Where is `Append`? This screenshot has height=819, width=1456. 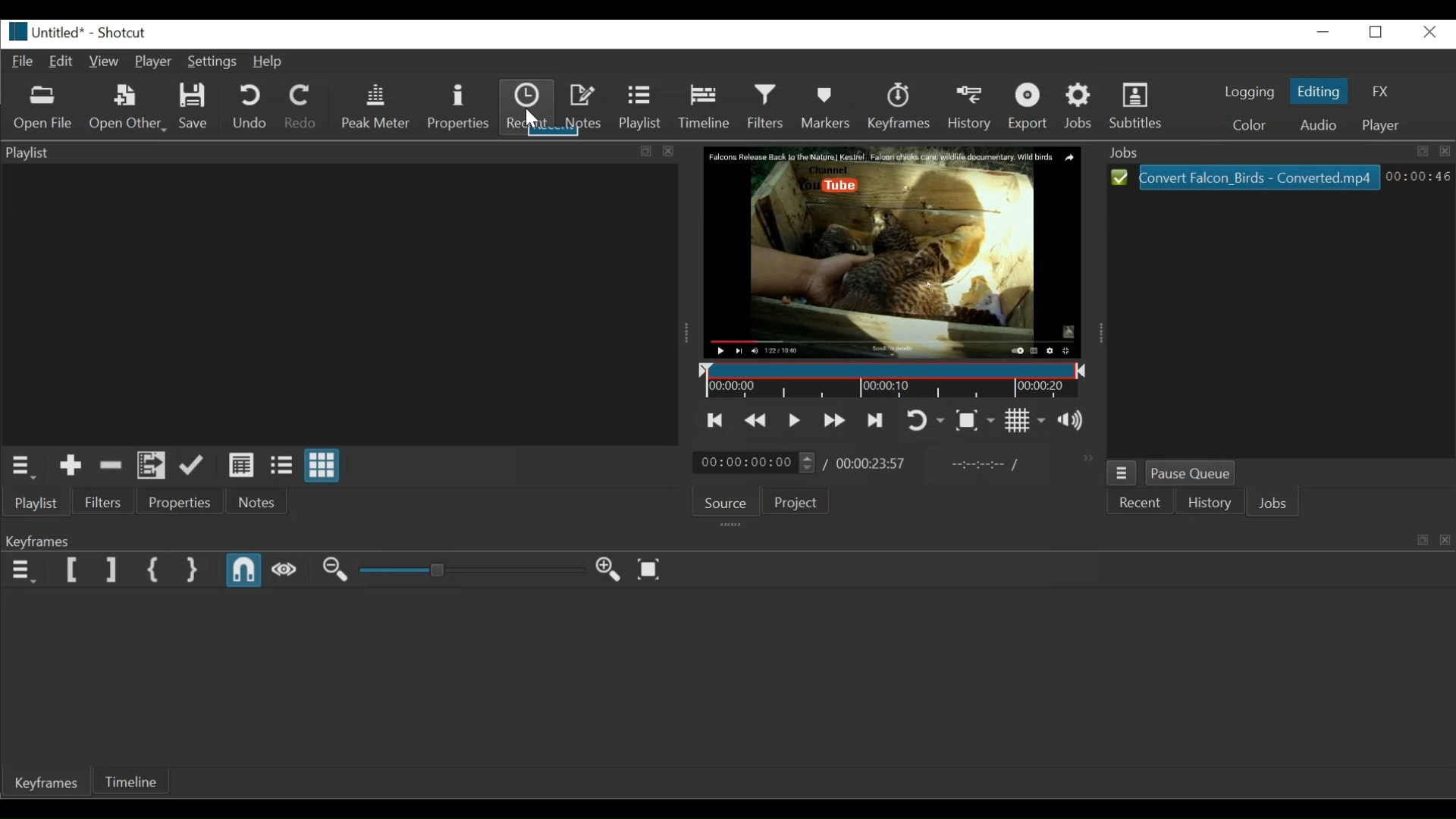 Append is located at coordinates (195, 466).